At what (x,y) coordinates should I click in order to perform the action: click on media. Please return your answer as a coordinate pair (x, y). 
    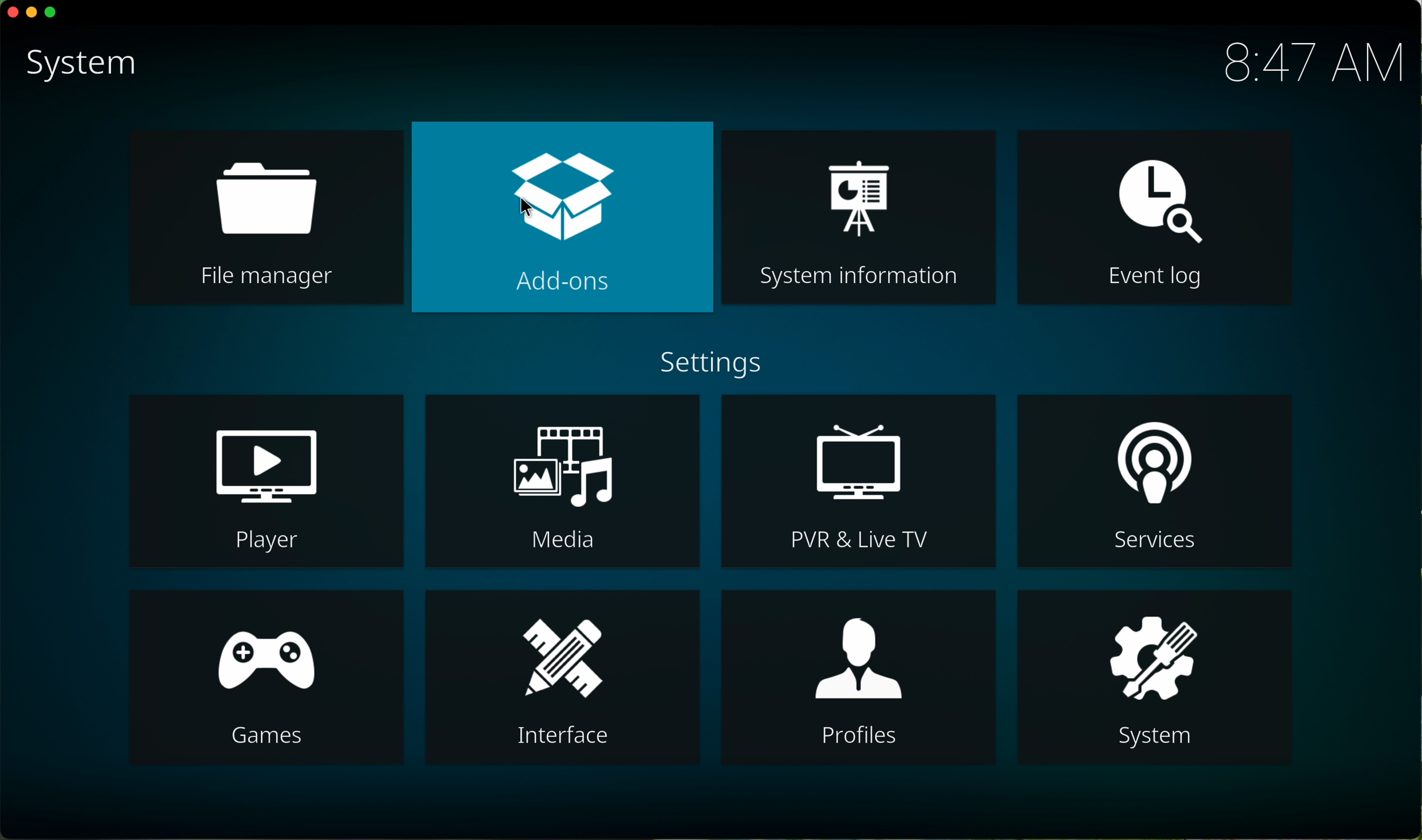
    Looking at the image, I should click on (562, 481).